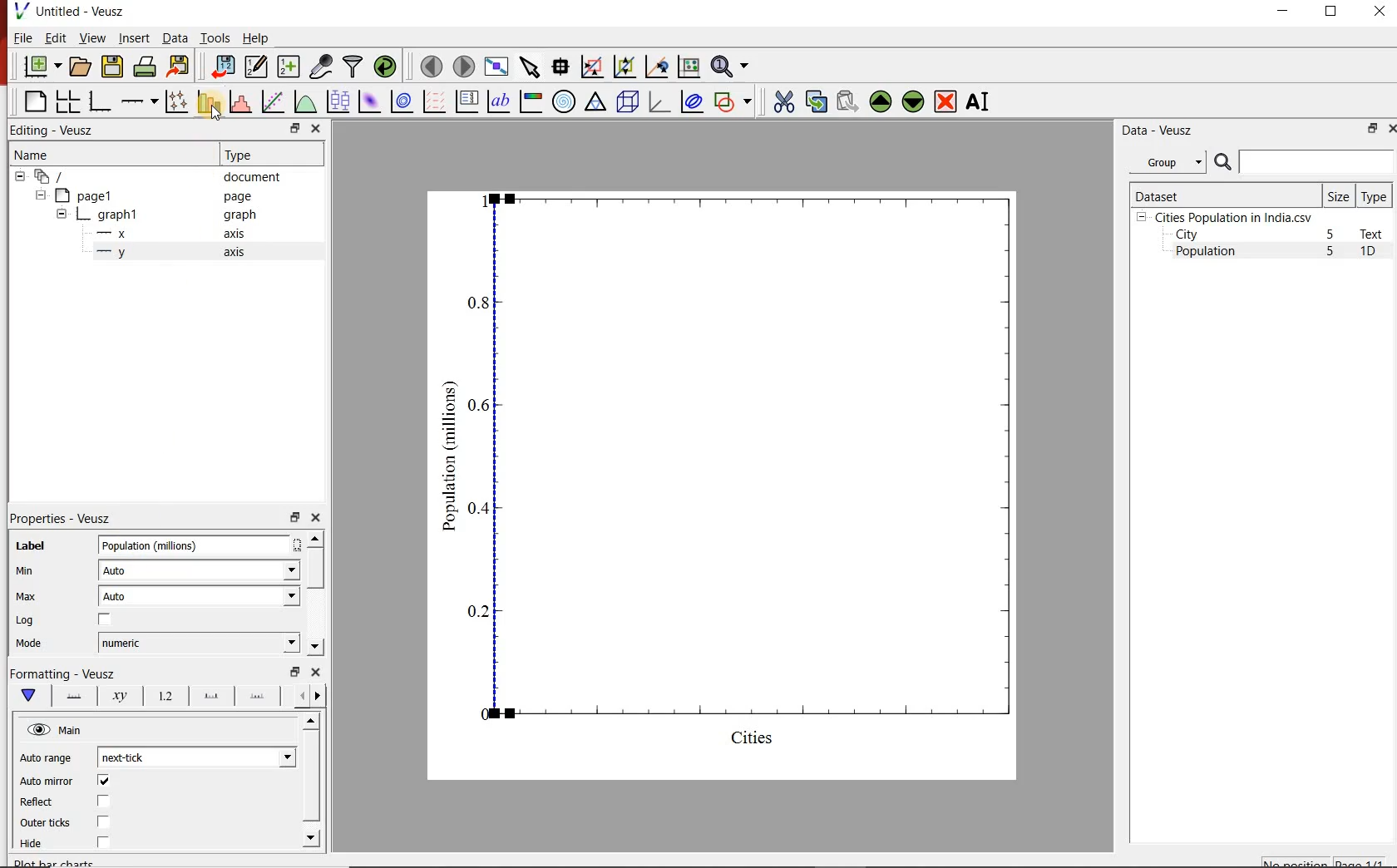  I want to click on Name, so click(94, 154).